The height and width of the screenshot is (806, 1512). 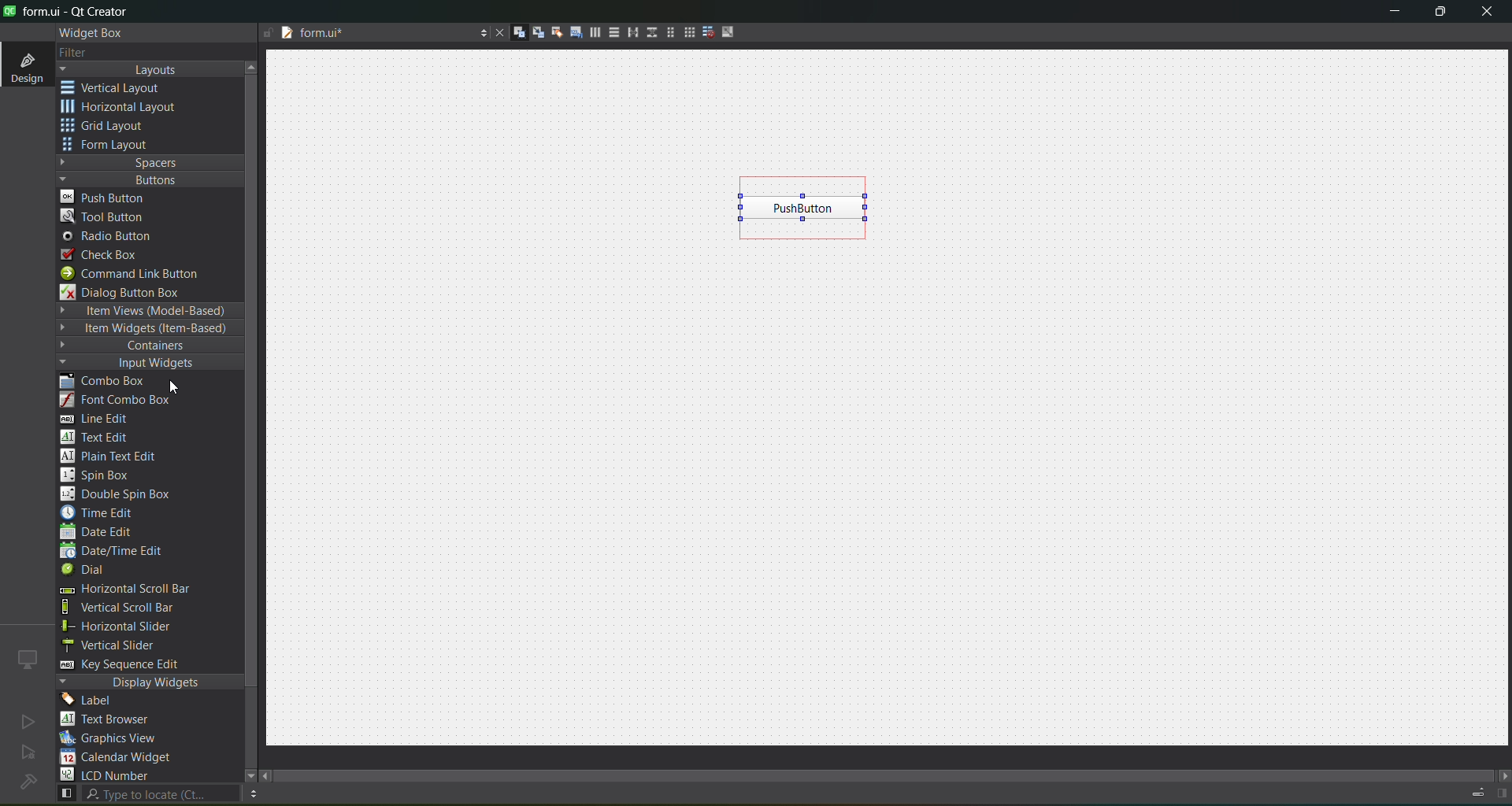 What do you see at coordinates (114, 382) in the screenshot?
I see `combo box` at bounding box center [114, 382].